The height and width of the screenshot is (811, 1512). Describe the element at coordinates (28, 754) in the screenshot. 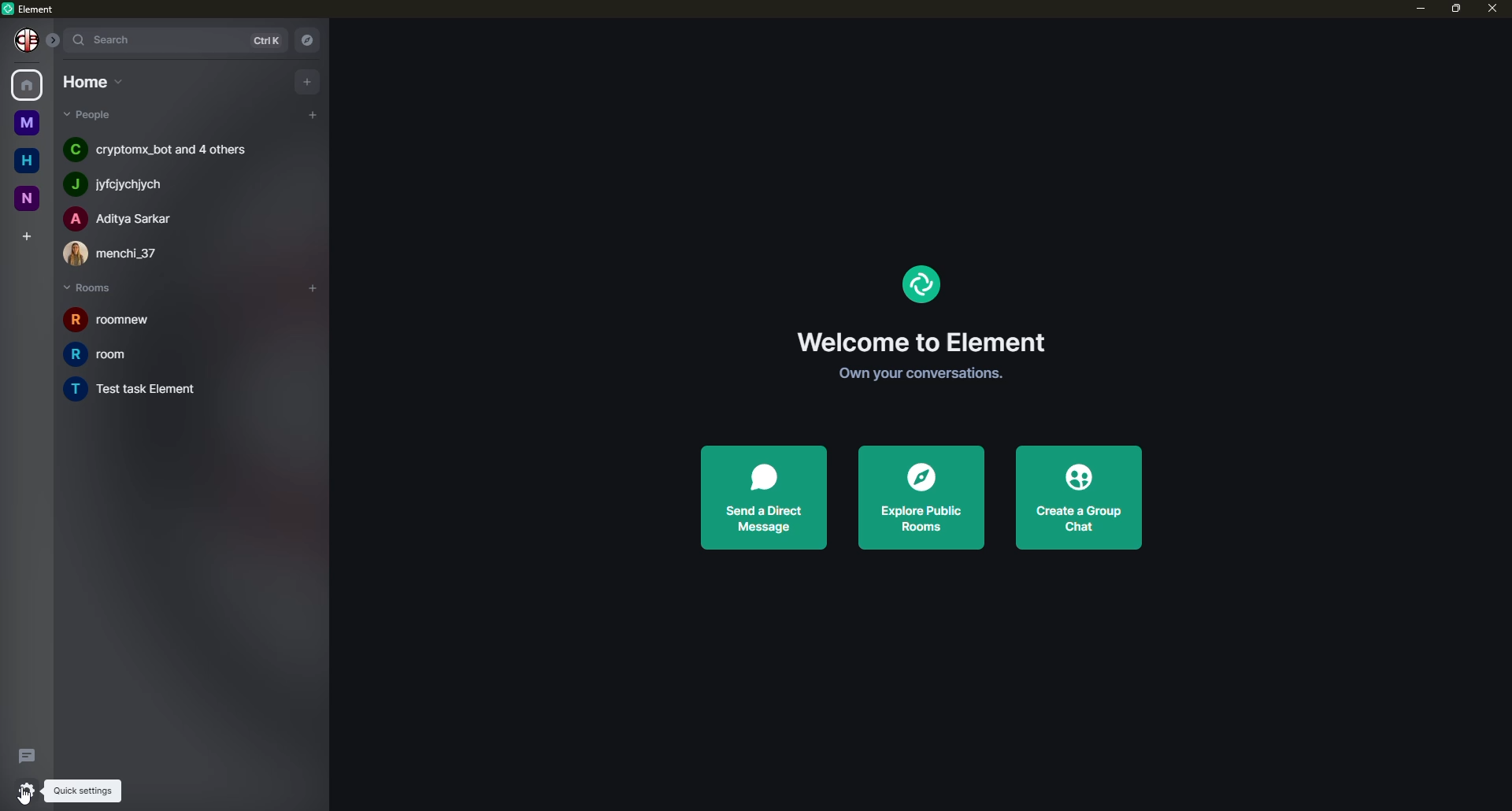

I see `threads` at that location.